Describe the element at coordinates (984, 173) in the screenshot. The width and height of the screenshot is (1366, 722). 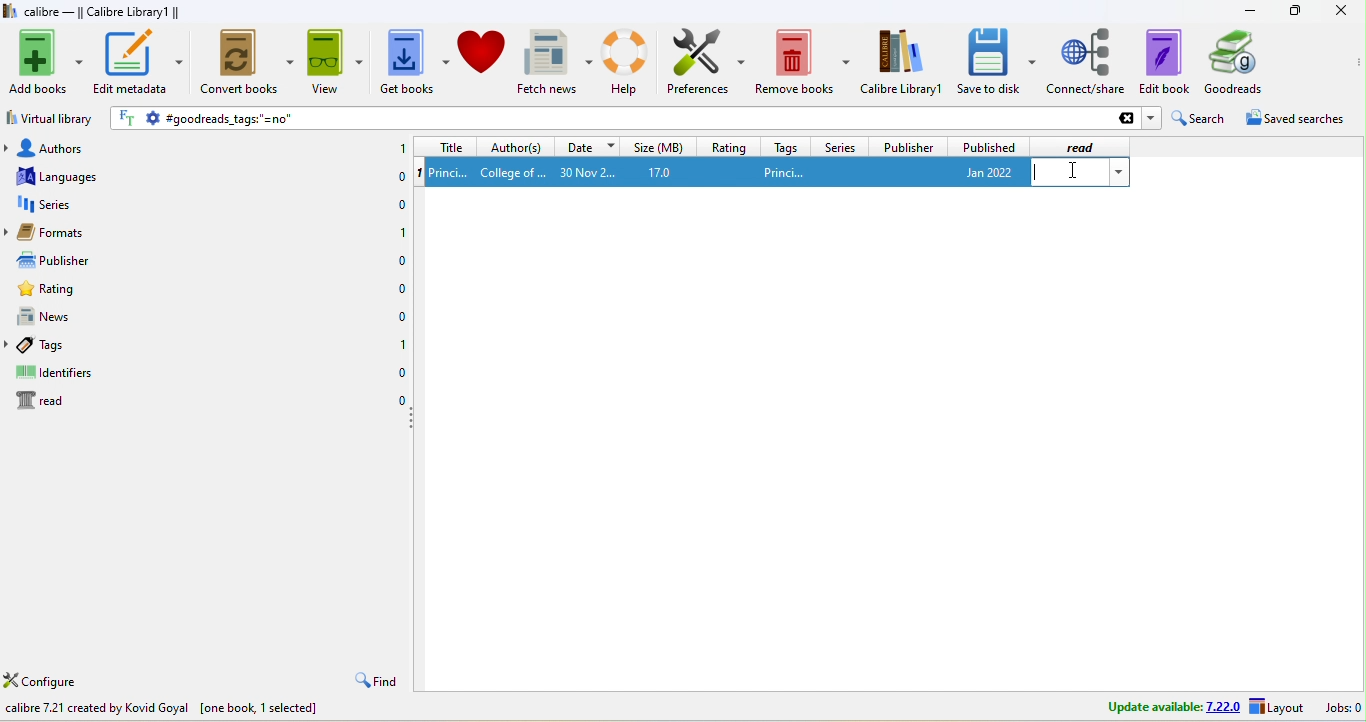
I see `jan 2022` at that location.